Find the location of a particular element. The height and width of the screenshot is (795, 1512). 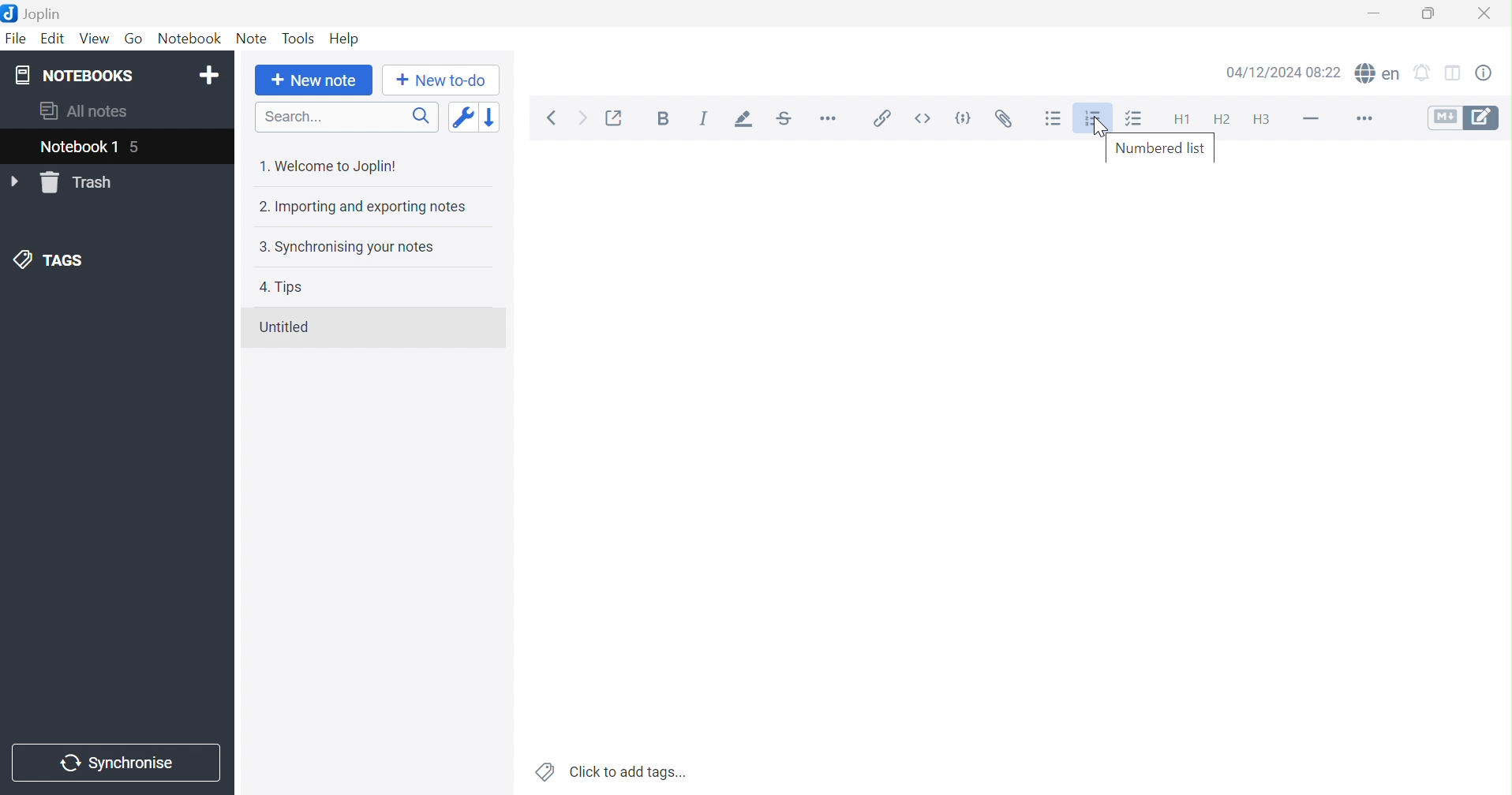

Spell checker is located at coordinates (1379, 72).